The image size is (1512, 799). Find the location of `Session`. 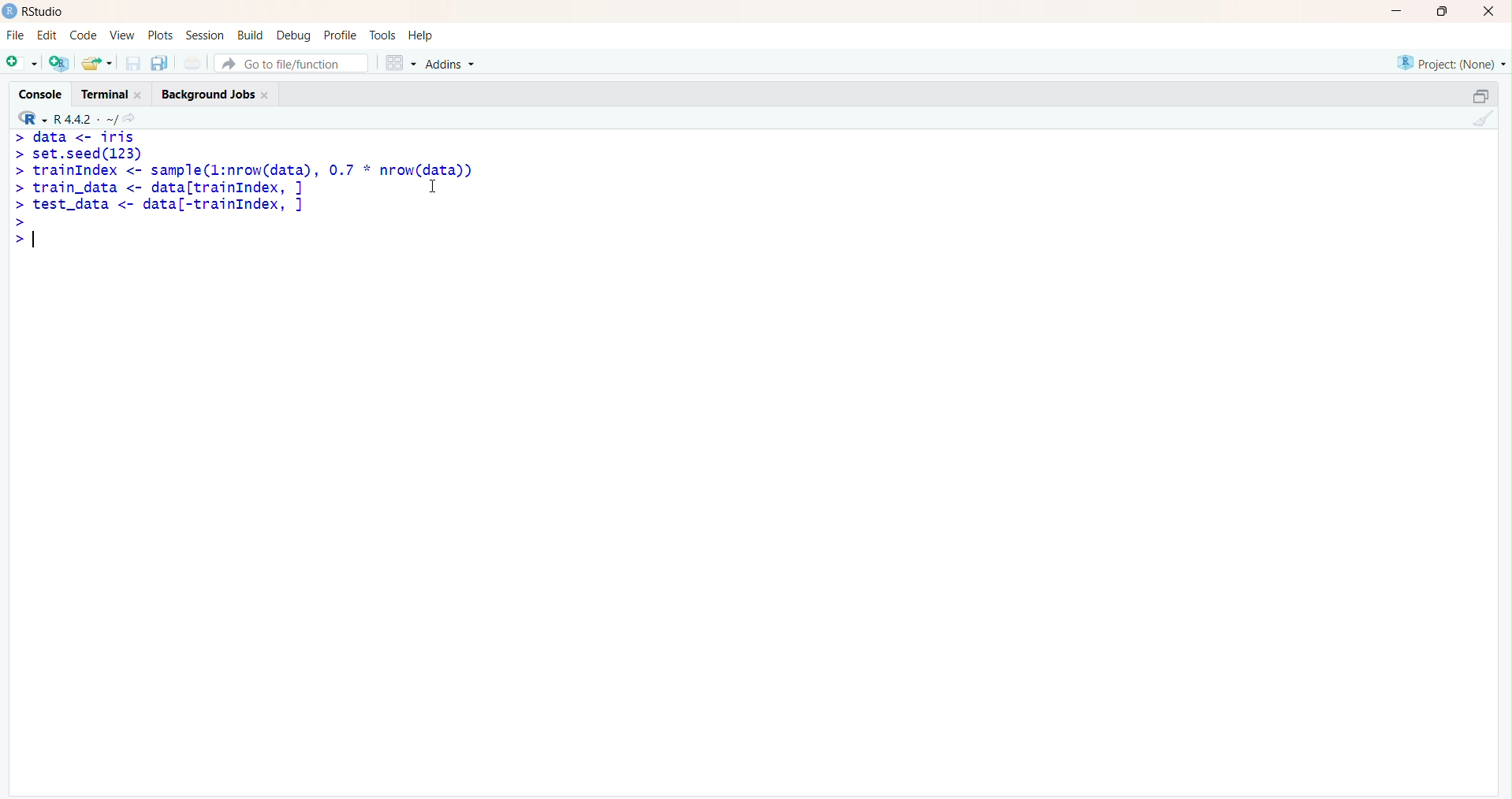

Session is located at coordinates (205, 36).